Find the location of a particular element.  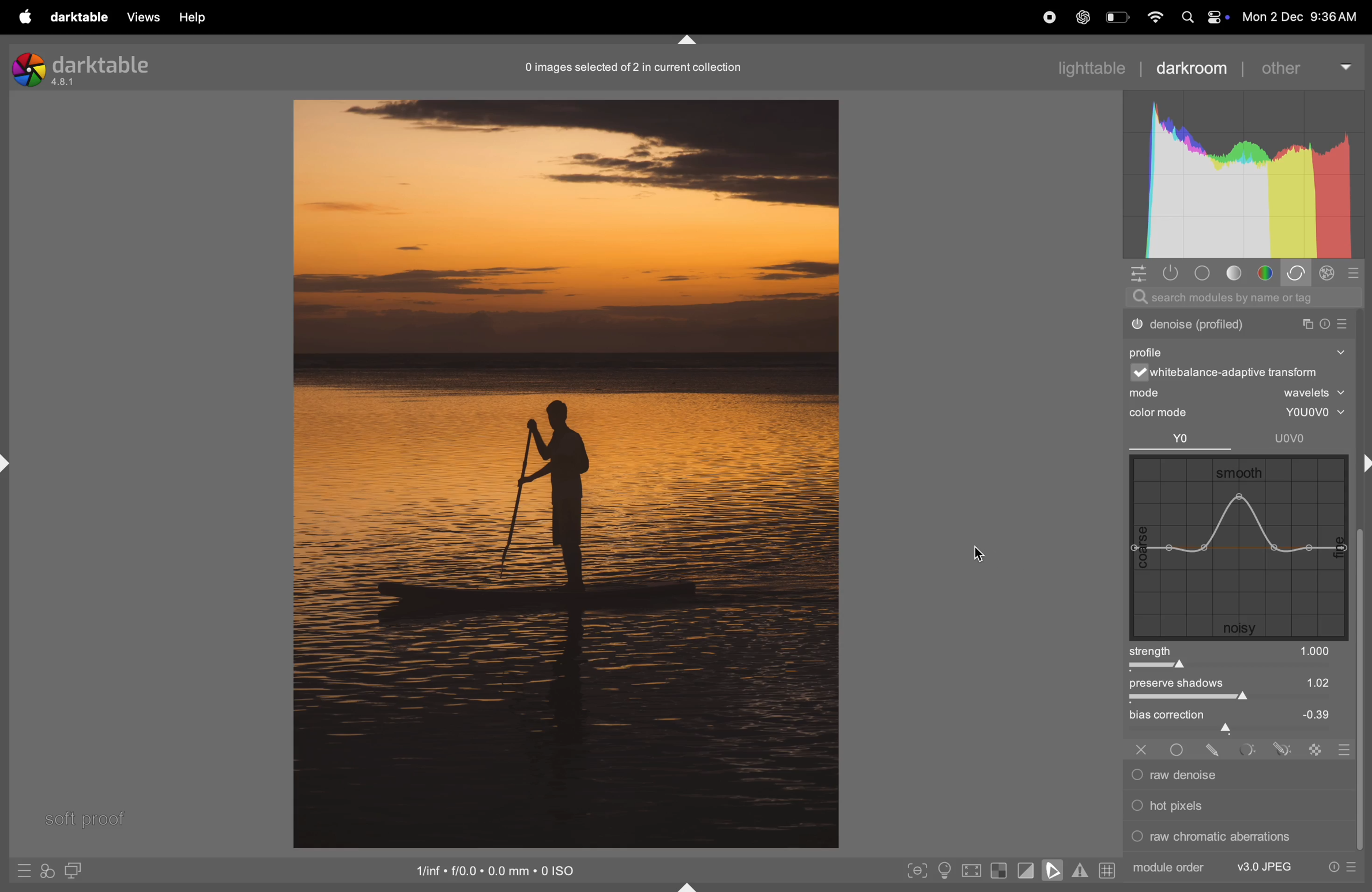

sign is located at coordinates (1329, 275).